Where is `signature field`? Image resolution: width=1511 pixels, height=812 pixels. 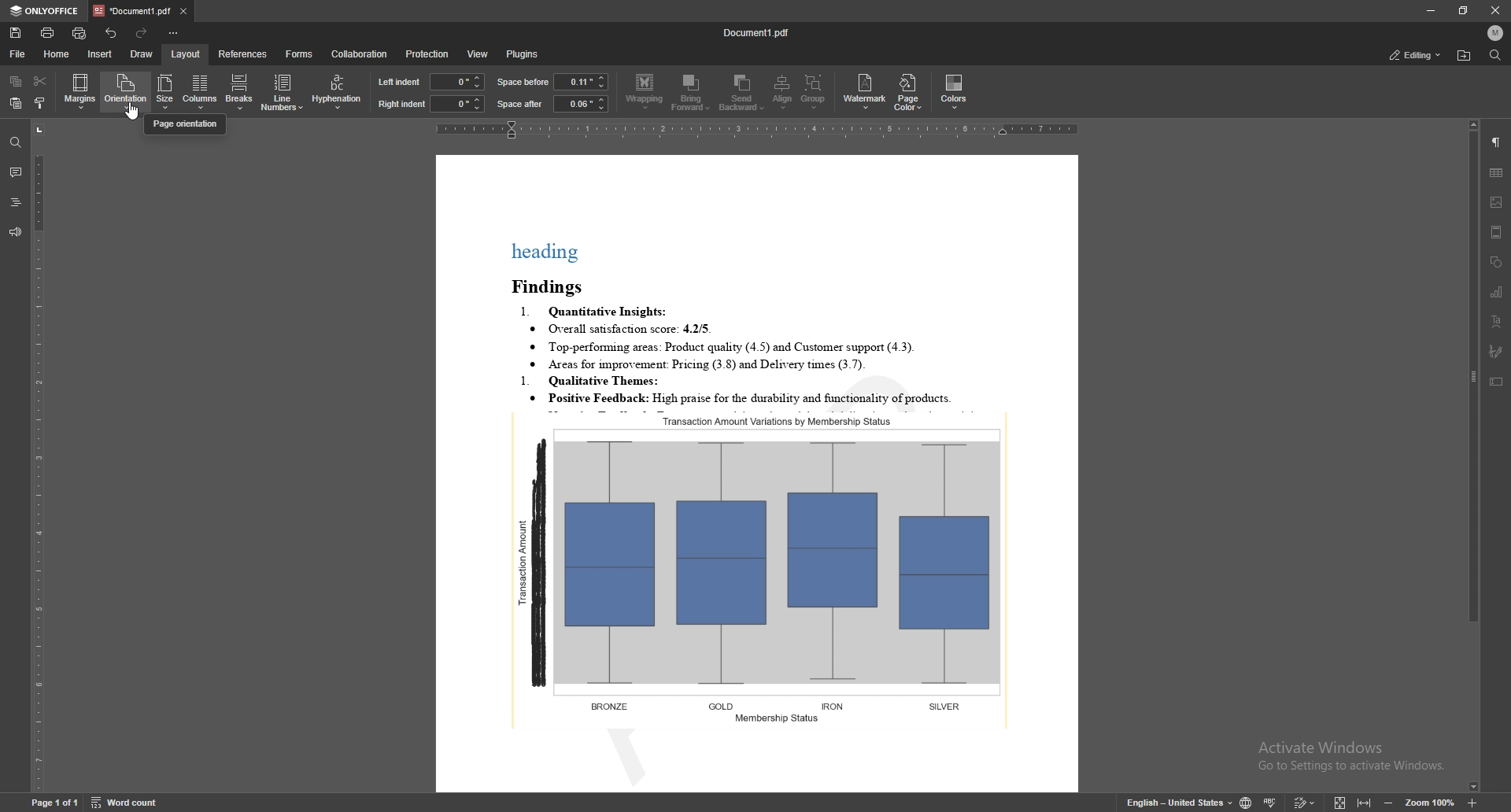 signature field is located at coordinates (1497, 352).